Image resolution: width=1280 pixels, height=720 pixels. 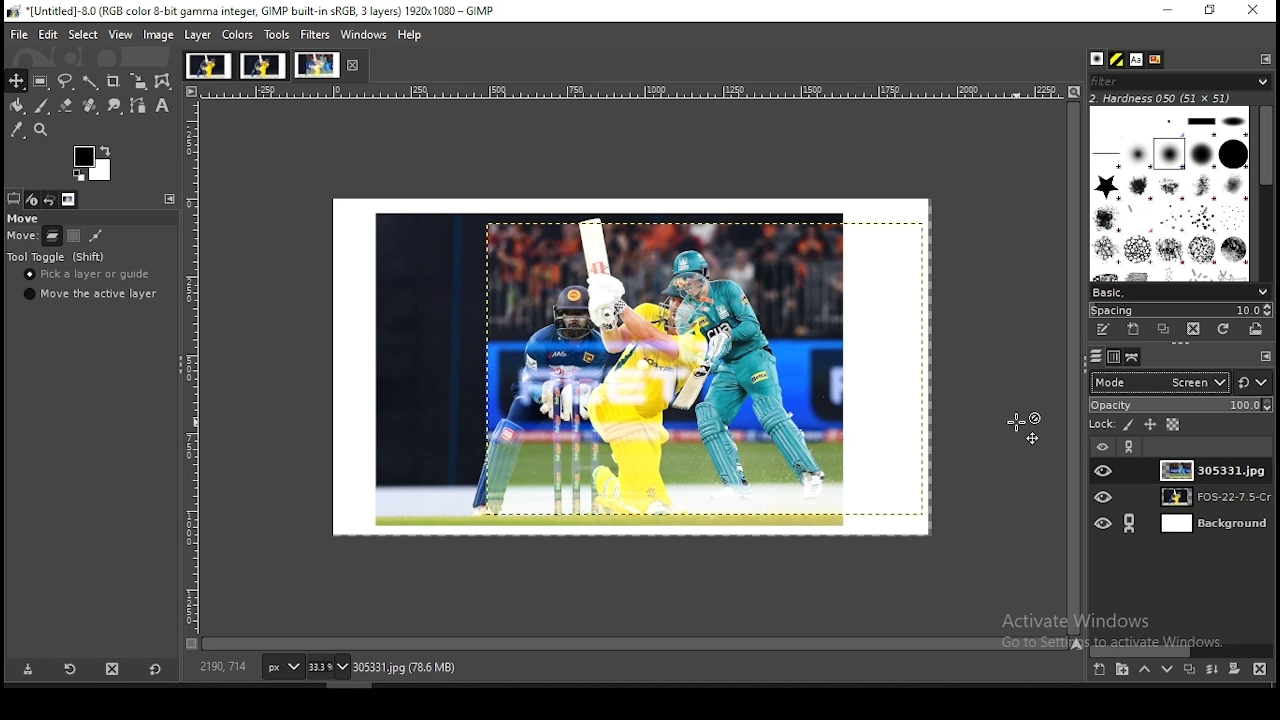 What do you see at coordinates (1214, 469) in the screenshot?
I see `layer` at bounding box center [1214, 469].